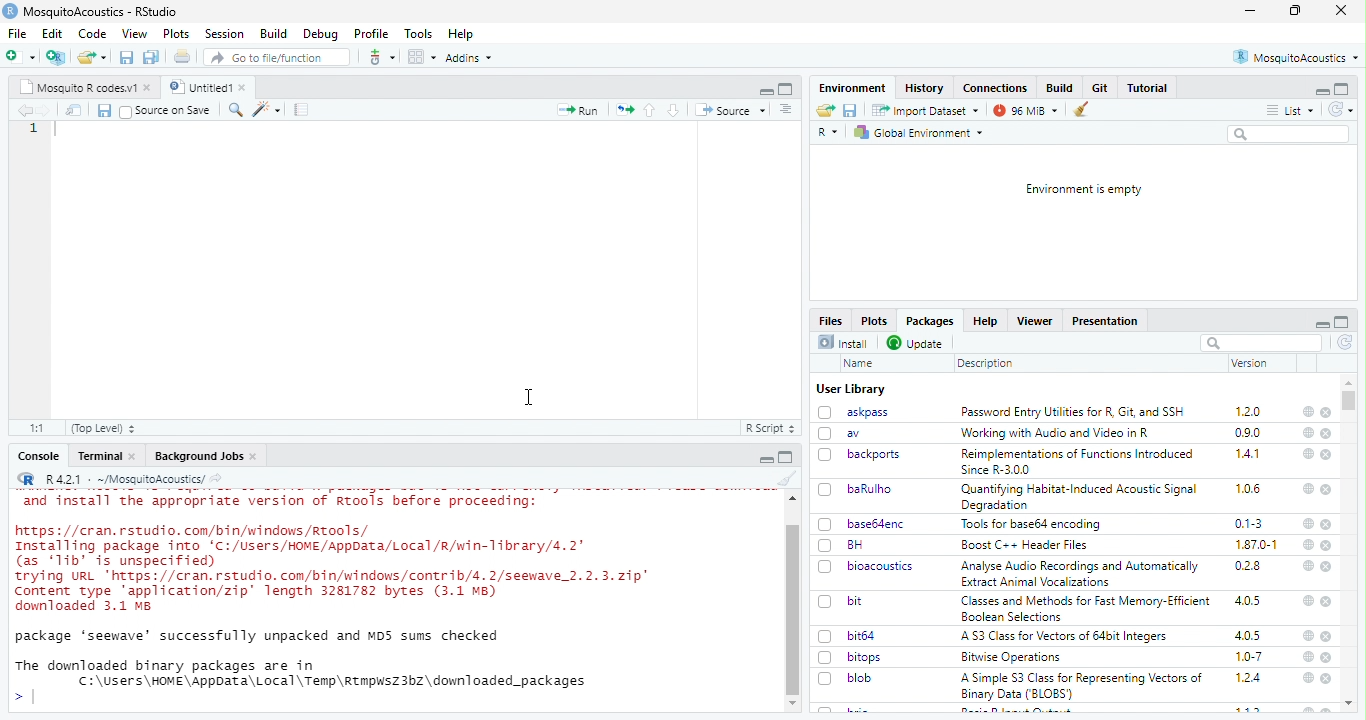 The image size is (1366, 720). I want to click on minimise, so click(1323, 92).